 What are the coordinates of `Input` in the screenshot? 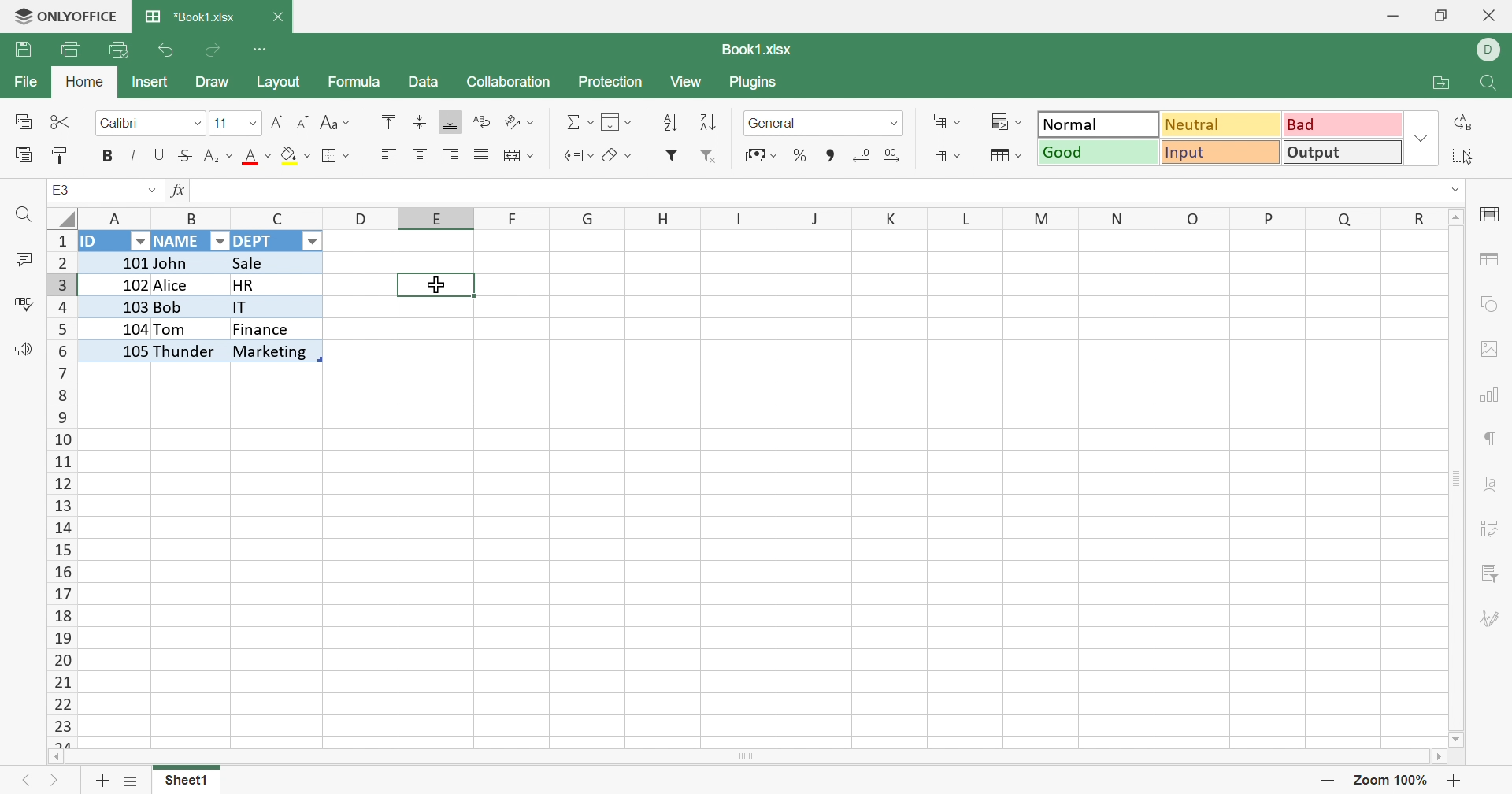 It's located at (1218, 152).